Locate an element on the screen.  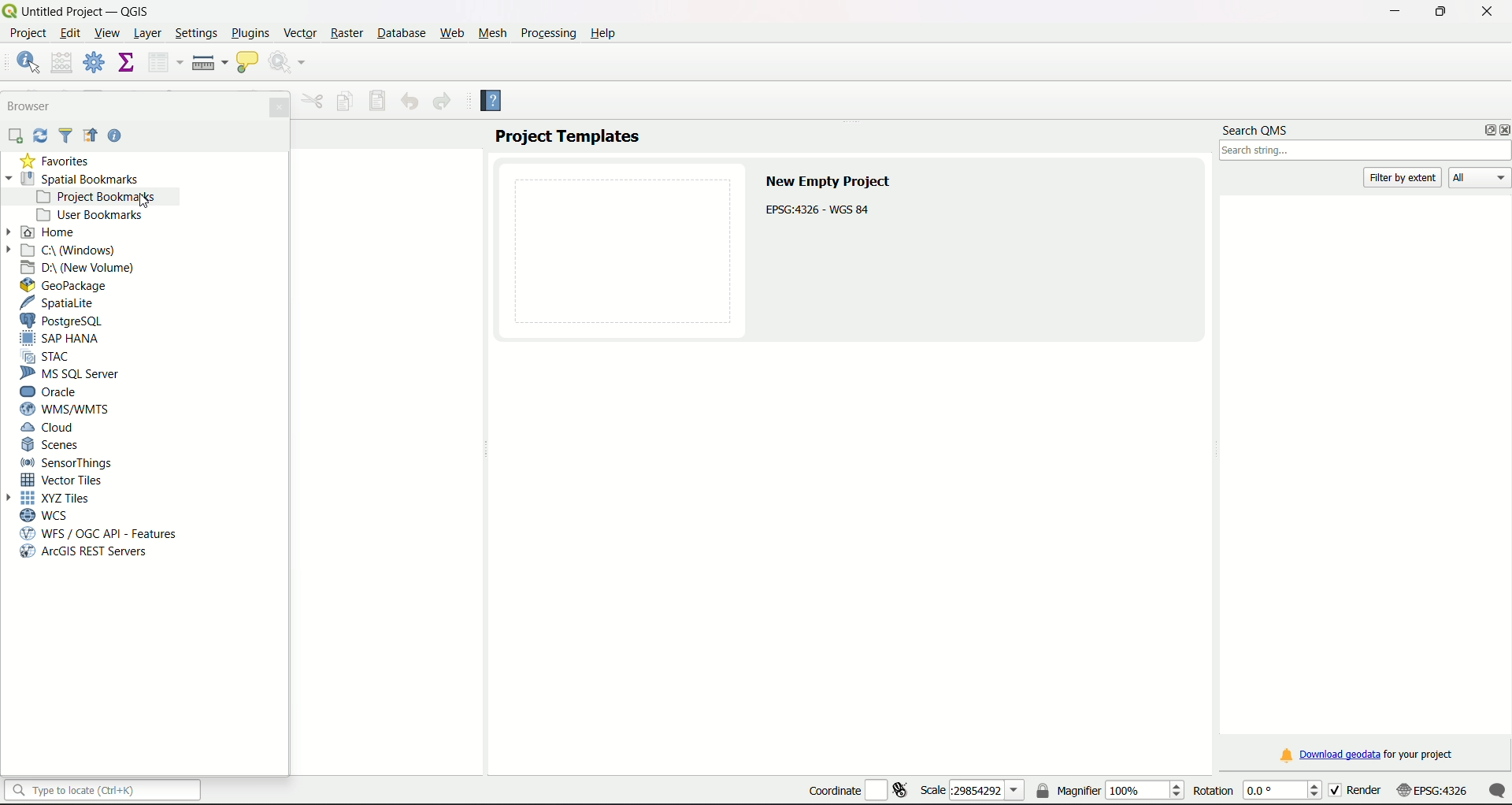
Processing is located at coordinates (547, 33).